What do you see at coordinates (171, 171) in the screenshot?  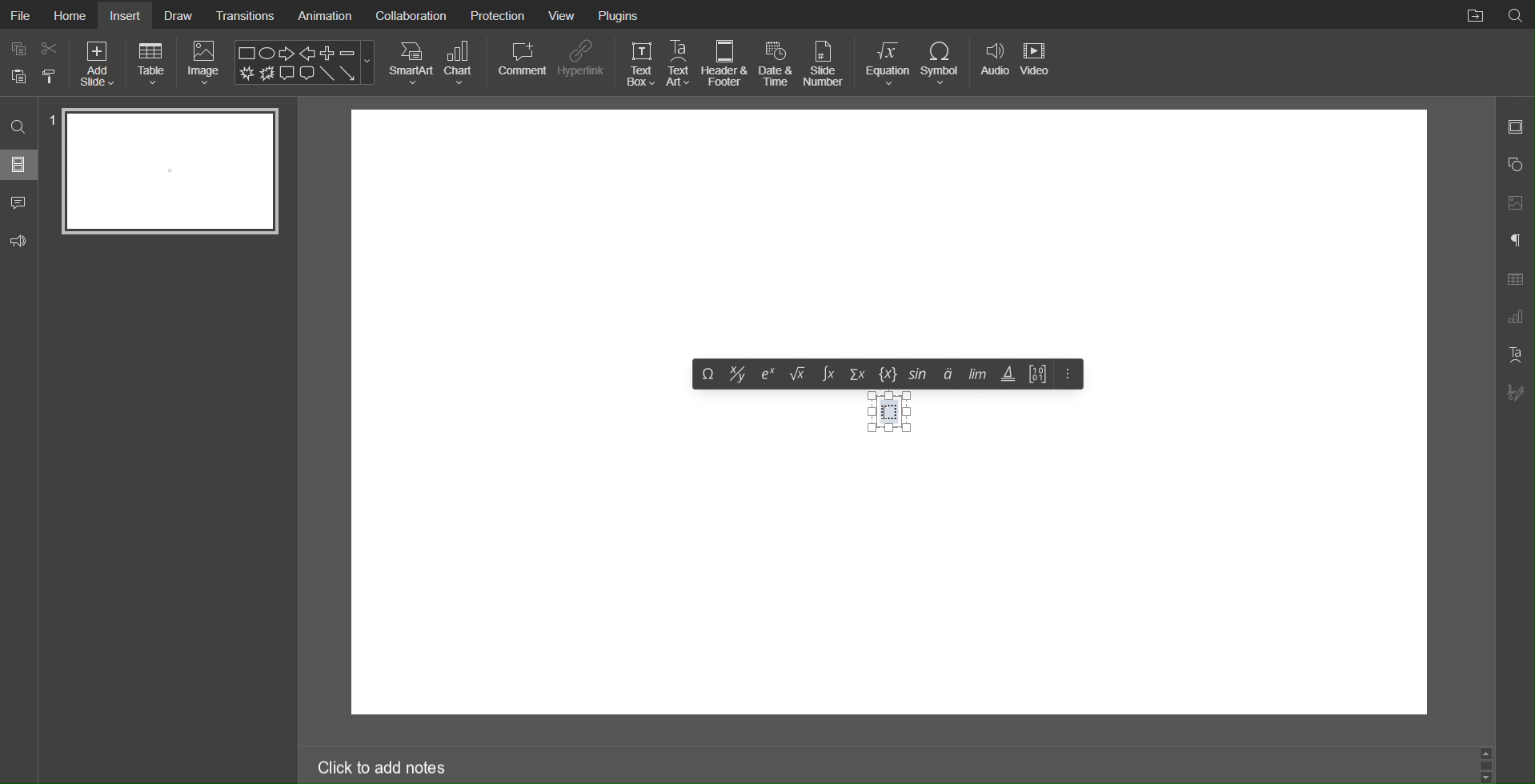 I see `Slide 1` at bounding box center [171, 171].